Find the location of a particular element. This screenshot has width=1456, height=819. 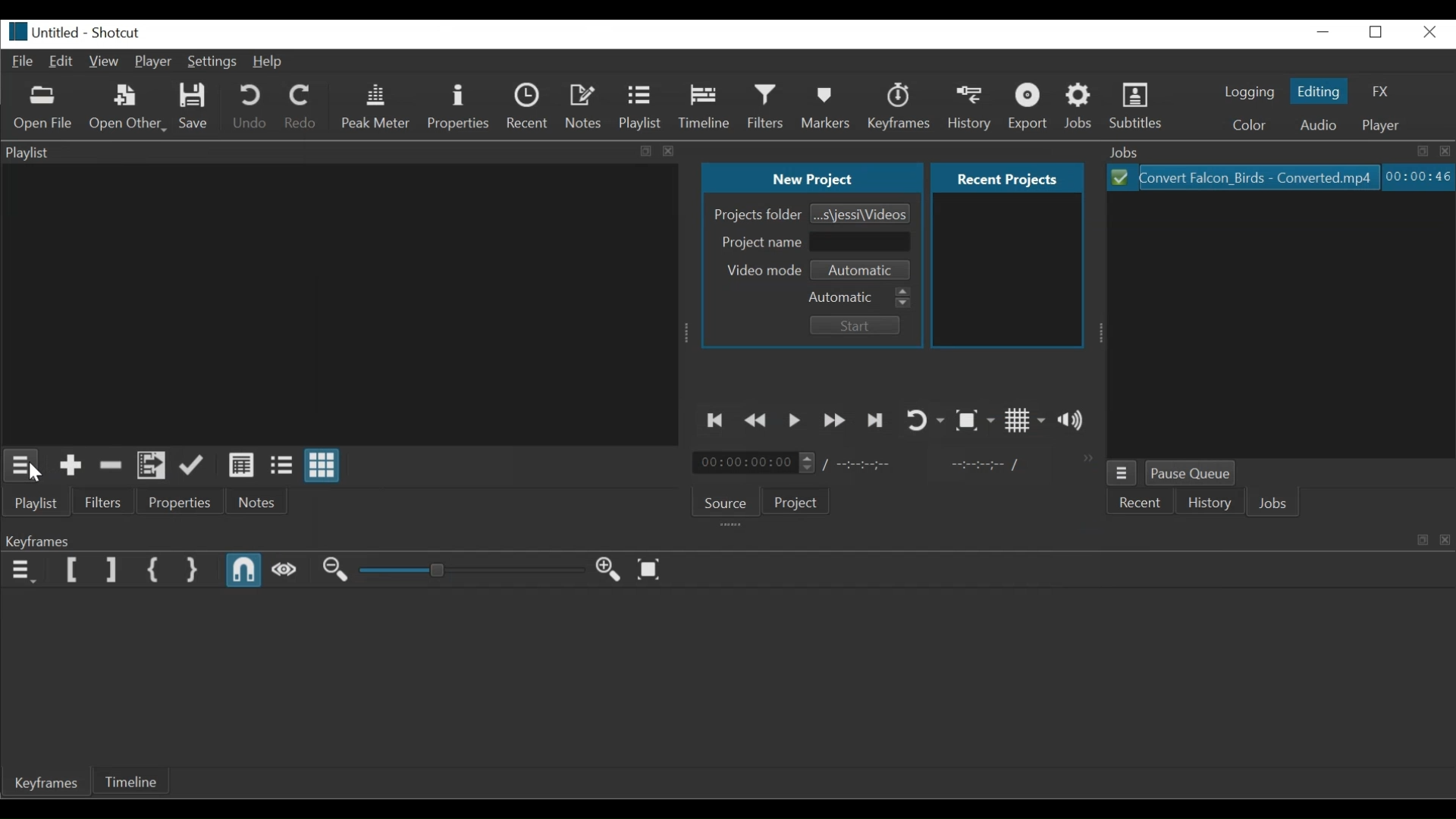

Redo is located at coordinates (302, 106).